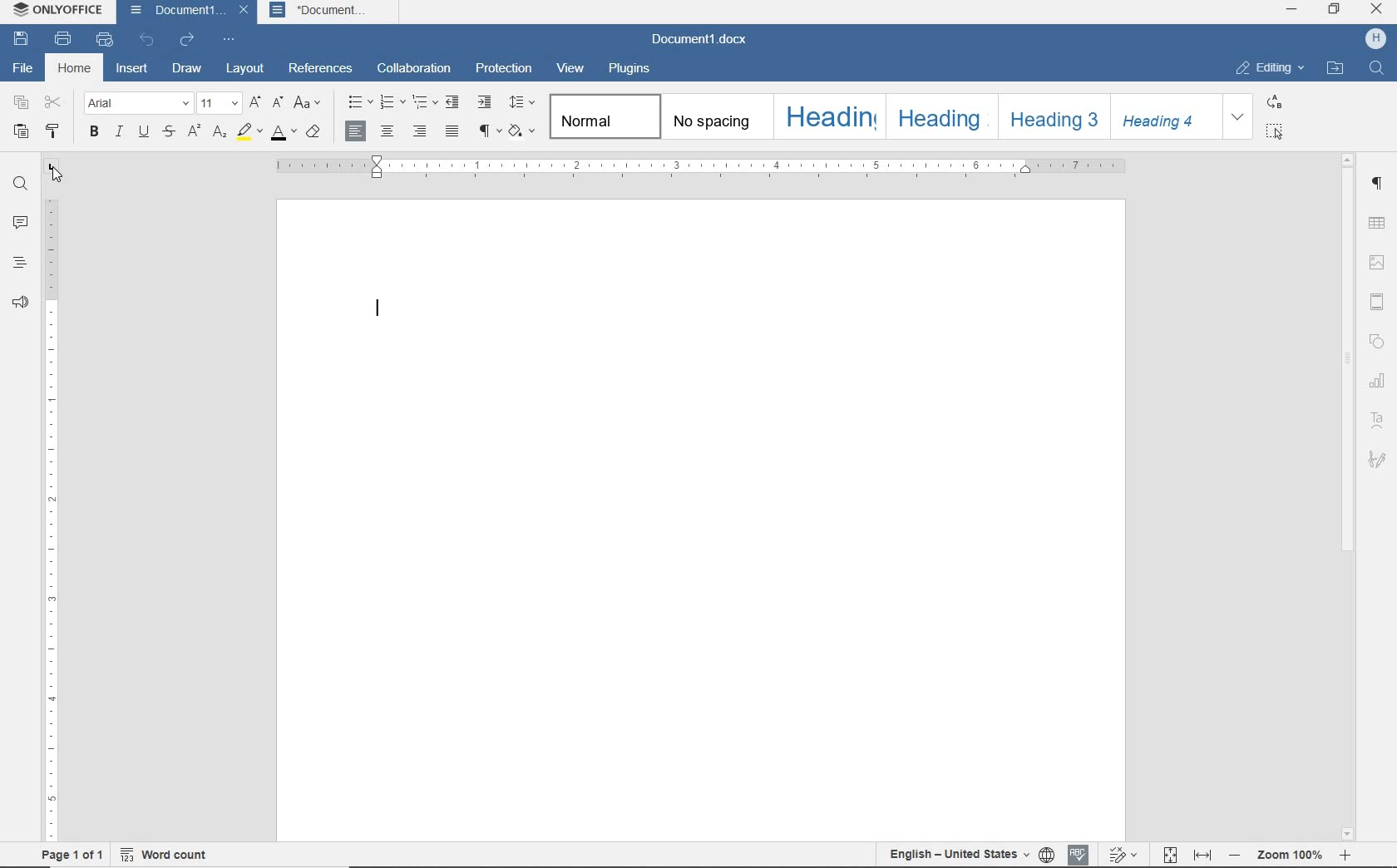 This screenshot has width=1397, height=868. Describe the element at coordinates (249, 132) in the screenshot. I see `HIGHLIGHT COLOR` at that location.